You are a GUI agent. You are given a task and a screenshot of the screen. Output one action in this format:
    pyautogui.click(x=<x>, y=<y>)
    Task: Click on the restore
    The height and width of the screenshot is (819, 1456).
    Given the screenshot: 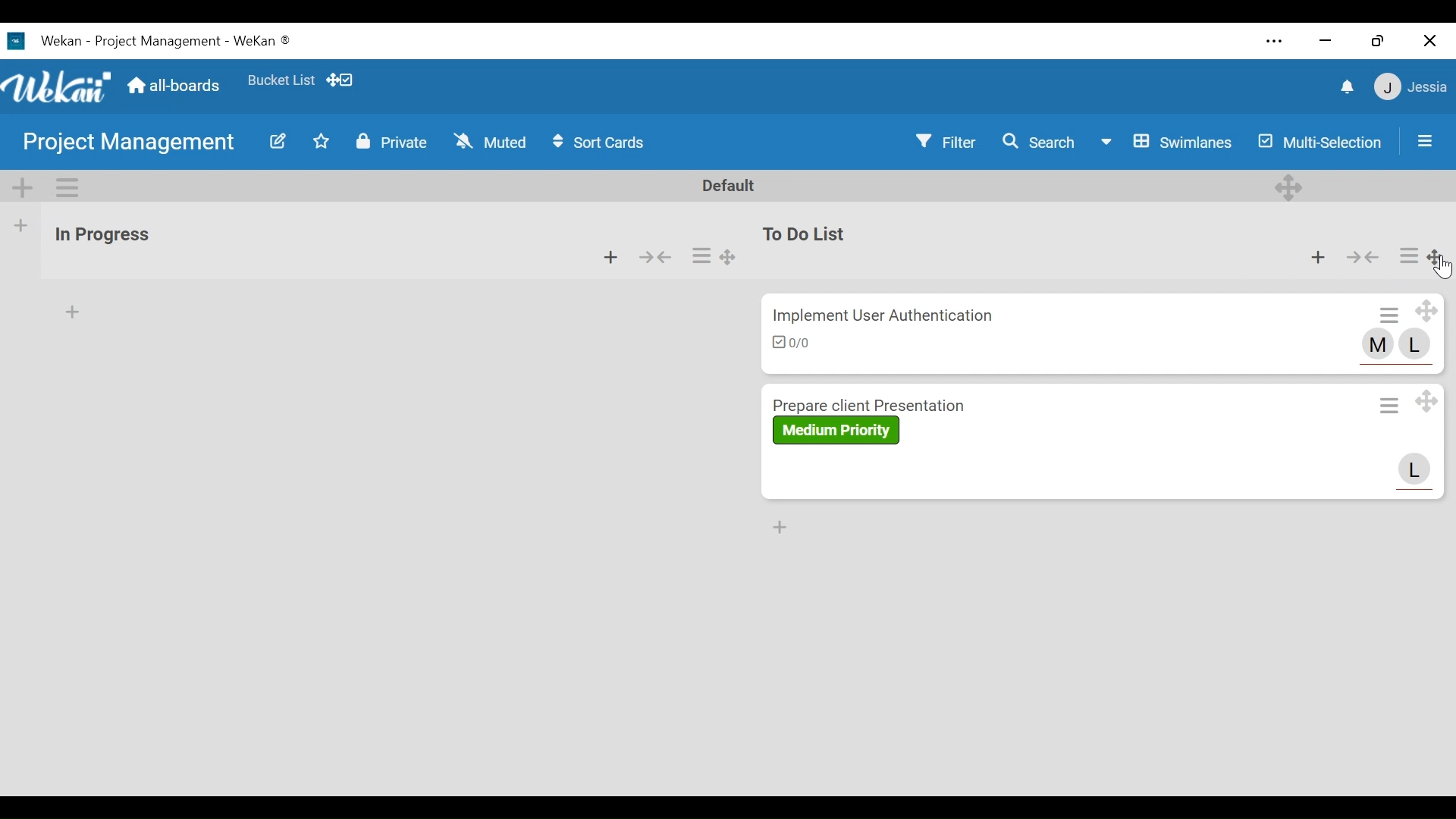 What is the action you would take?
    pyautogui.click(x=1377, y=41)
    